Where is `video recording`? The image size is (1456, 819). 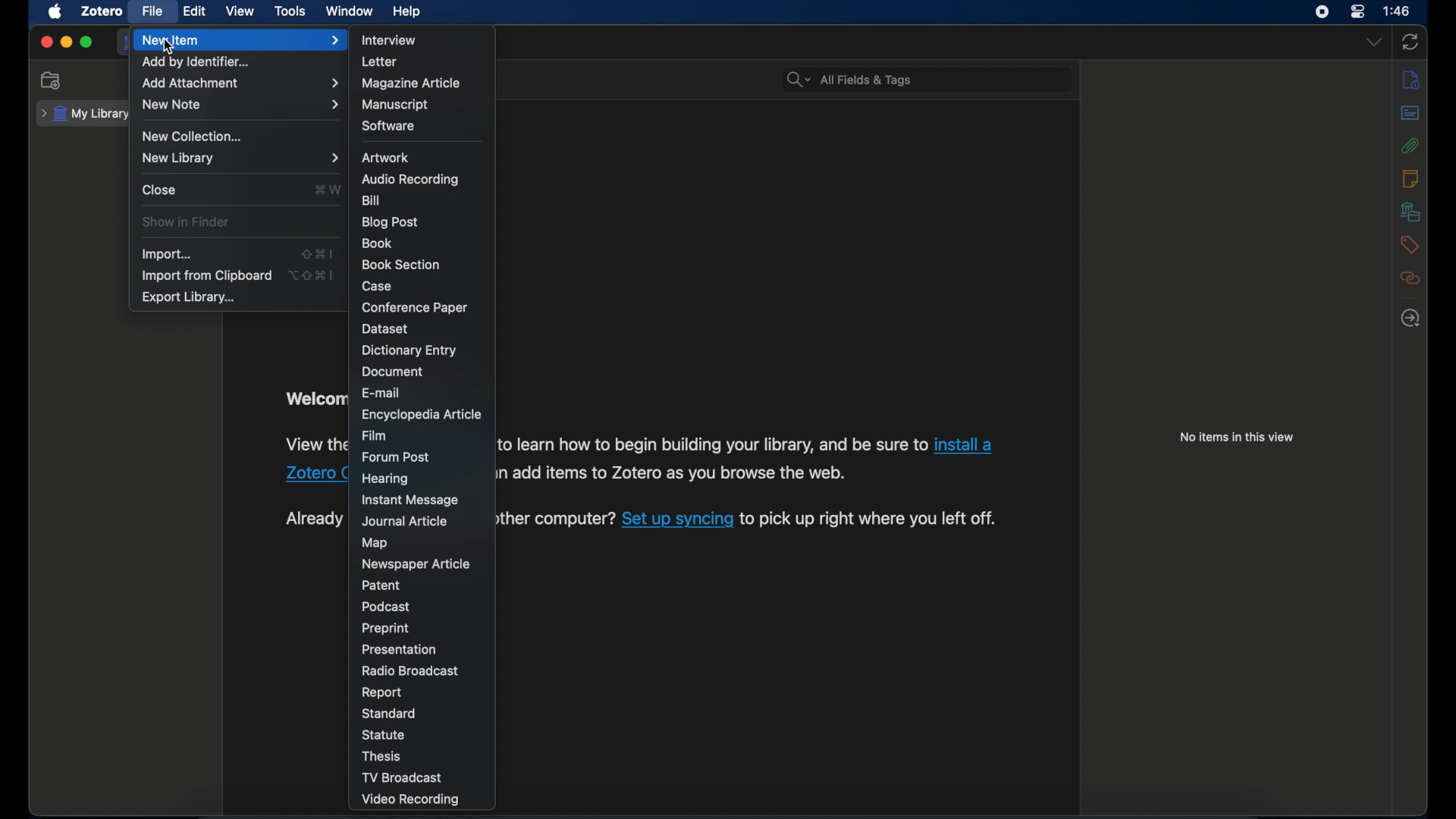 video recording is located at coordinates (410, 800).